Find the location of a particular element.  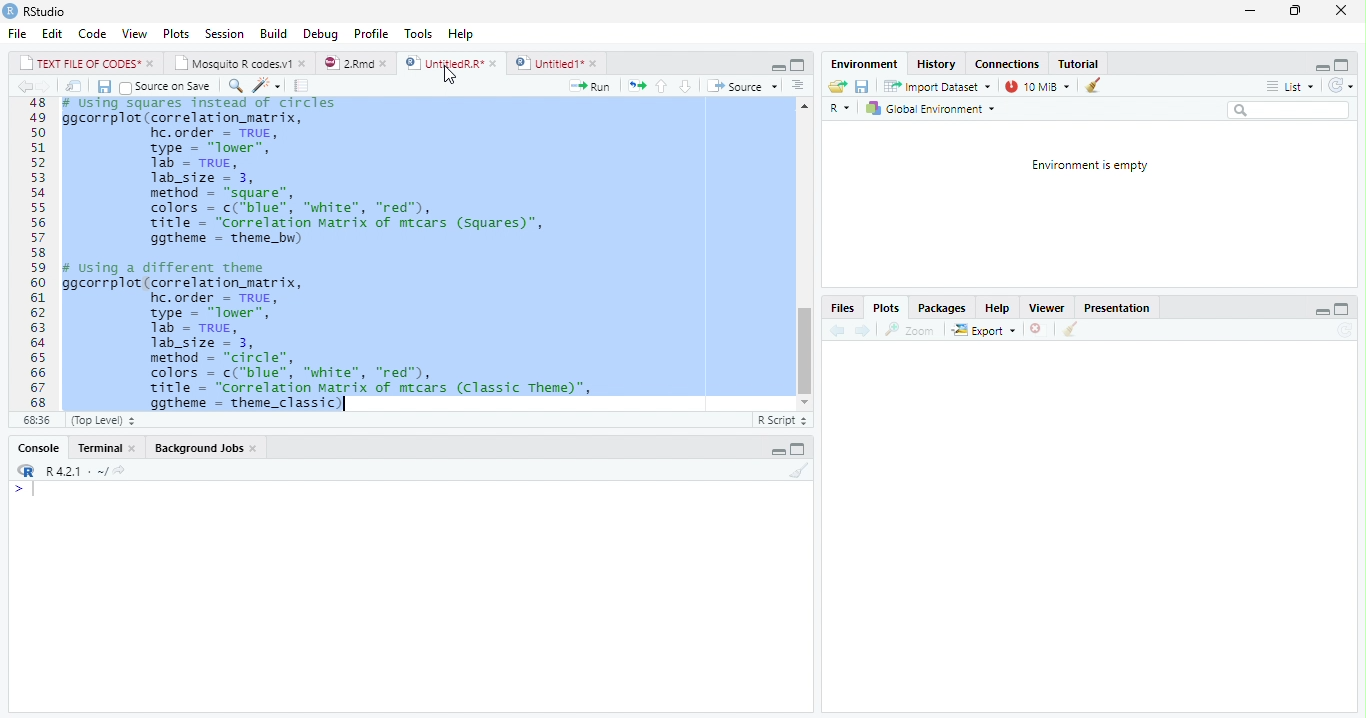

 Untitied1 is located at coordinates (557, 63).